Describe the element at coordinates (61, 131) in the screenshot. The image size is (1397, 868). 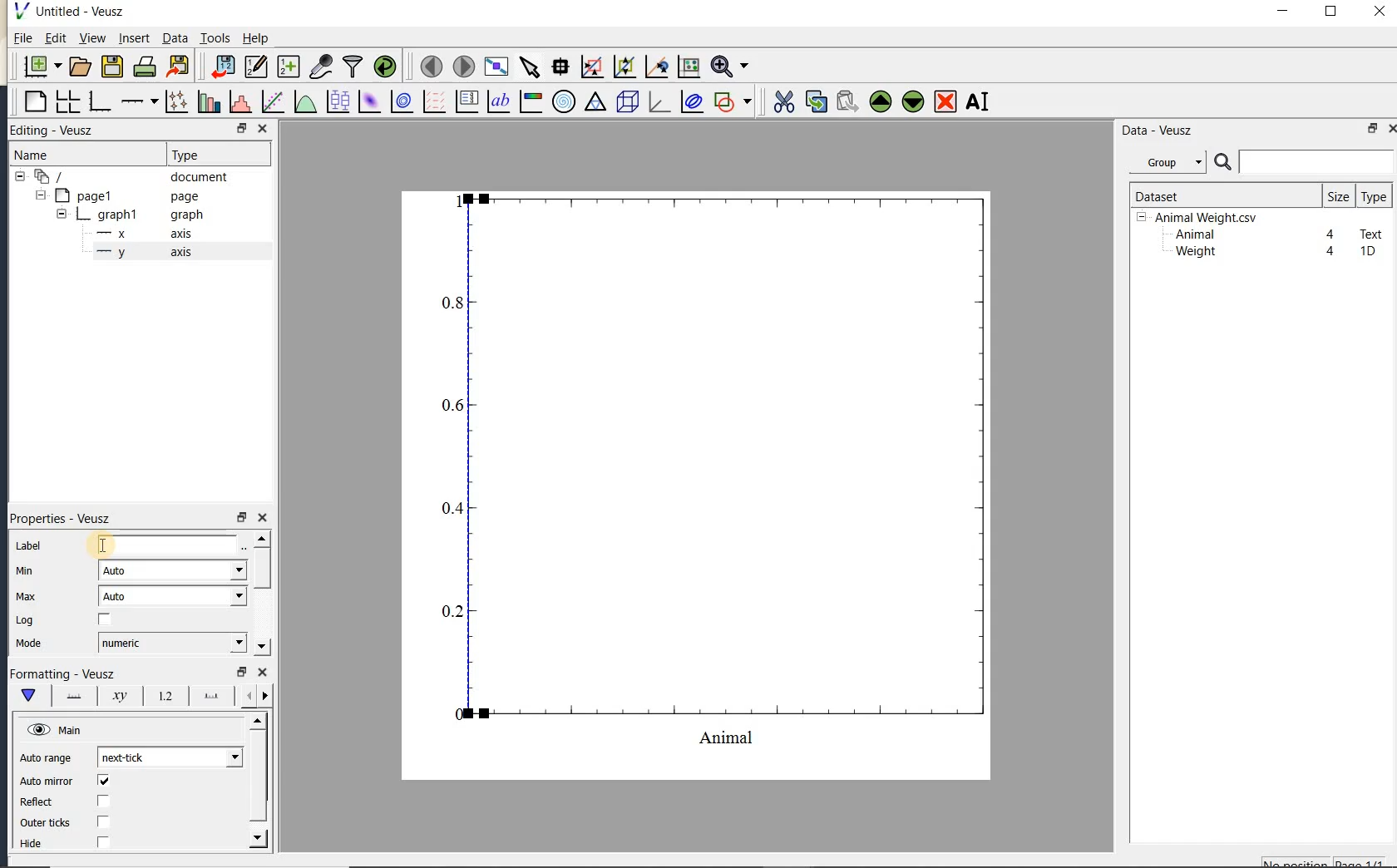
I see `Editing - Veusz` at that location.